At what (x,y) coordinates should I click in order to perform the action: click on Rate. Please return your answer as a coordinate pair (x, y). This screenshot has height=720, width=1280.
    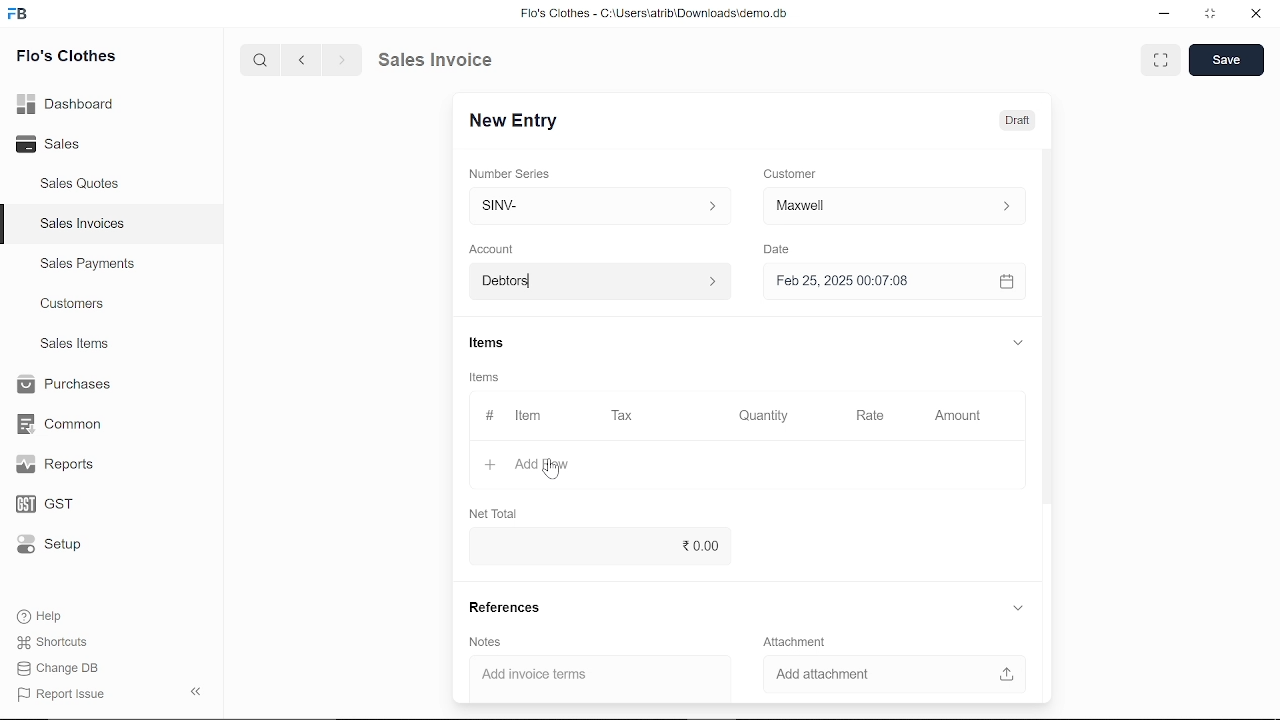
    Looking at the image, I should click on (850, 416).